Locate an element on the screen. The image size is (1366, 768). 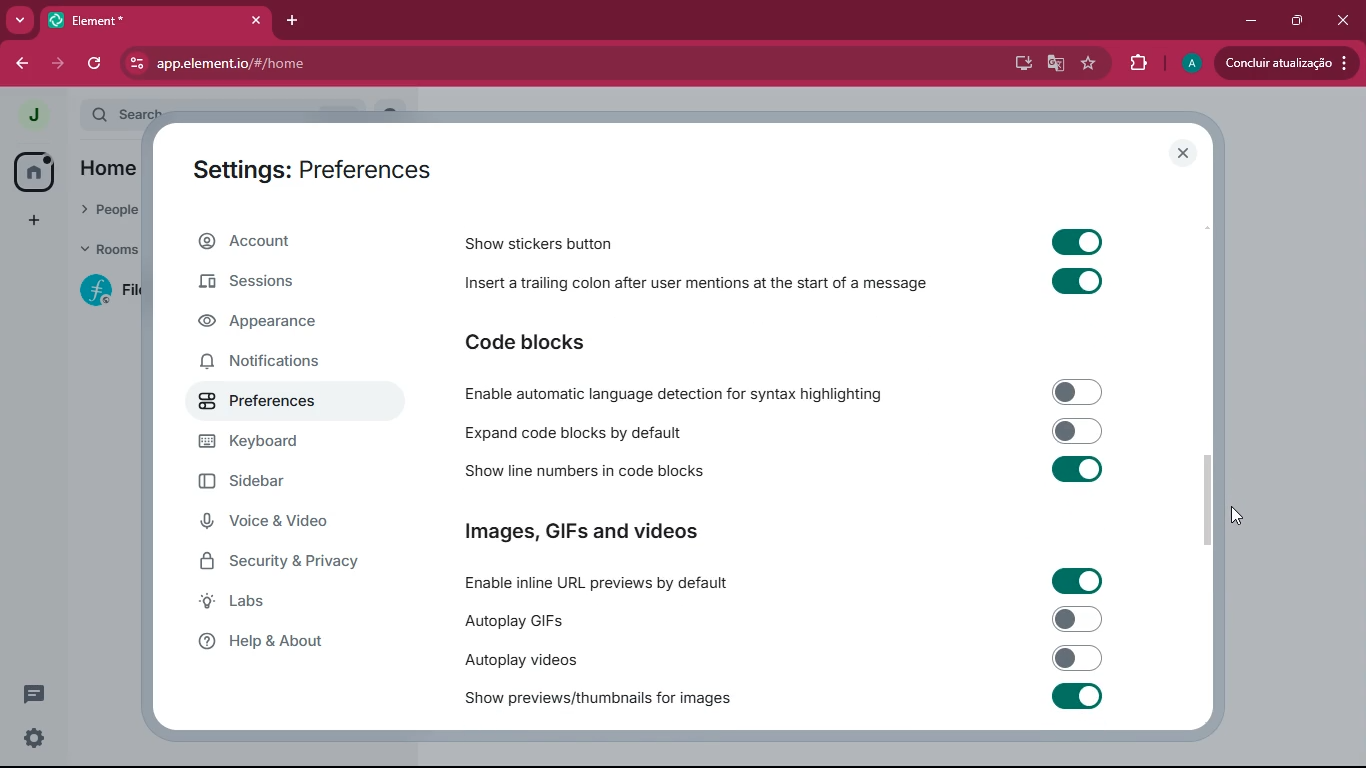
notifications is located at coordinates (268, 363).